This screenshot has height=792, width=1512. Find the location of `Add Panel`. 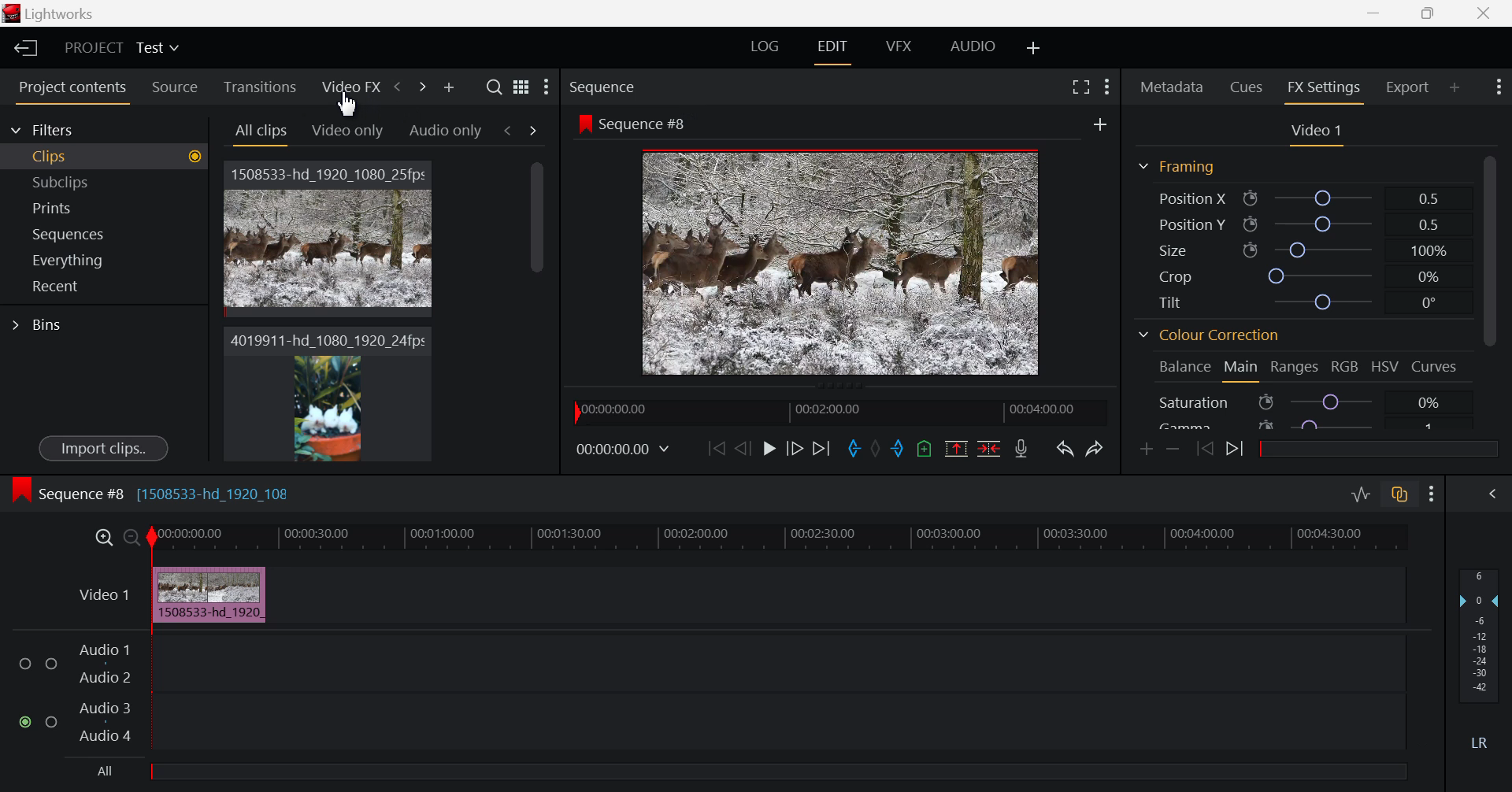

Add Panel is located at coordinates (446, 87).